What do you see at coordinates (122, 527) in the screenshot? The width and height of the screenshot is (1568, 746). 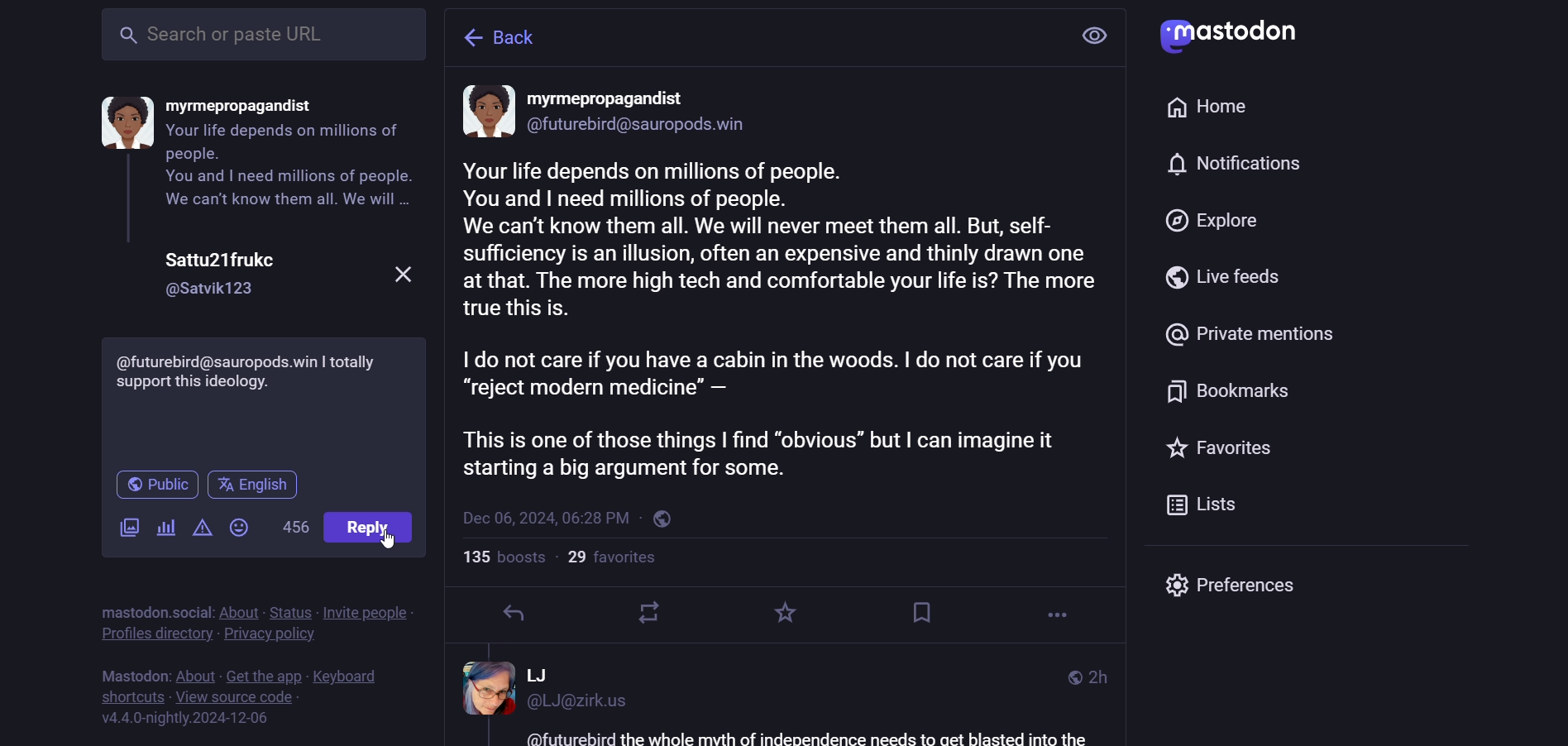 I see `images/videos` at bounding box center [122, 527].